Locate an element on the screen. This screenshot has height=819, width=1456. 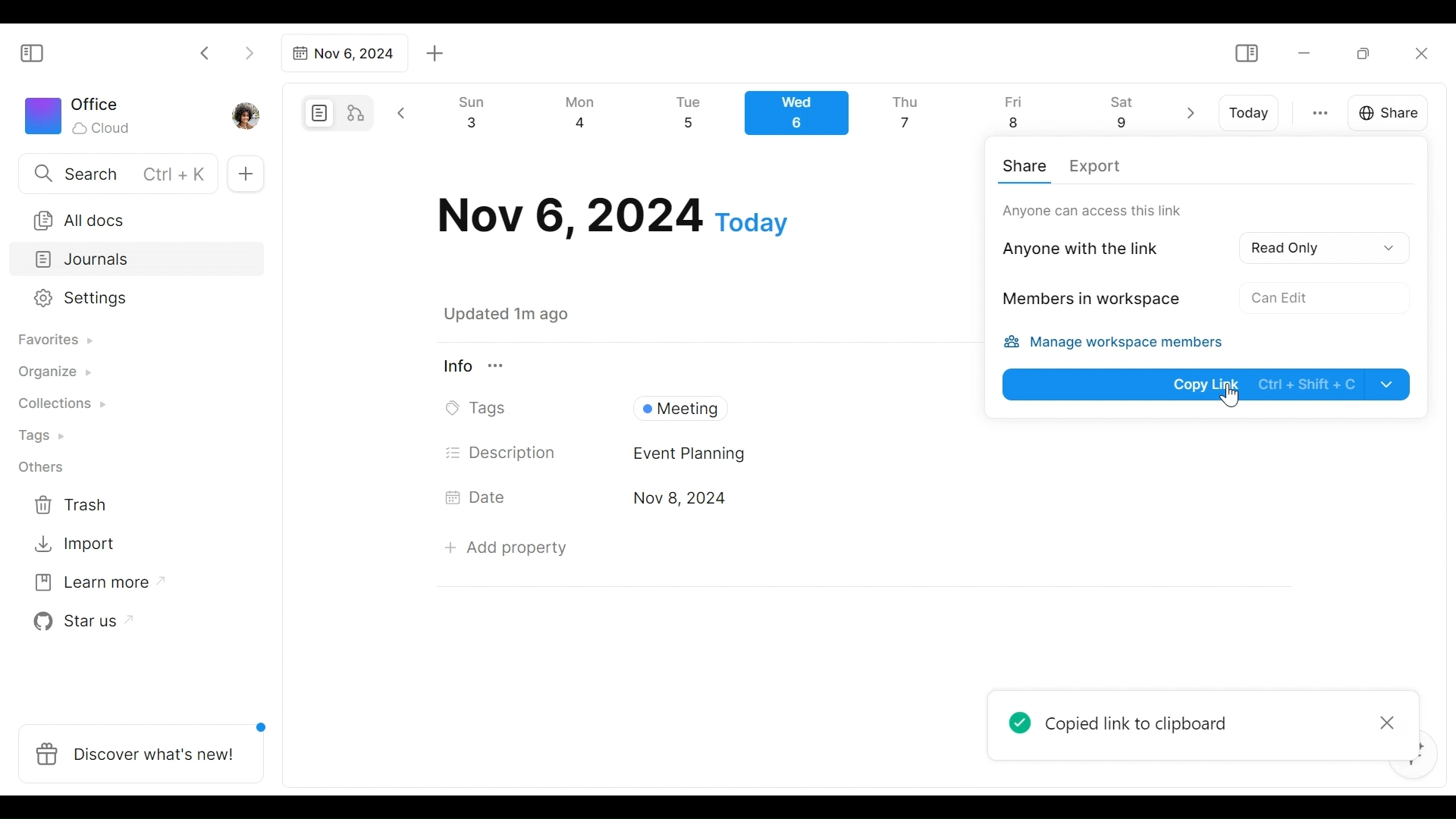
Favorites is located at coordinates (54, 340).